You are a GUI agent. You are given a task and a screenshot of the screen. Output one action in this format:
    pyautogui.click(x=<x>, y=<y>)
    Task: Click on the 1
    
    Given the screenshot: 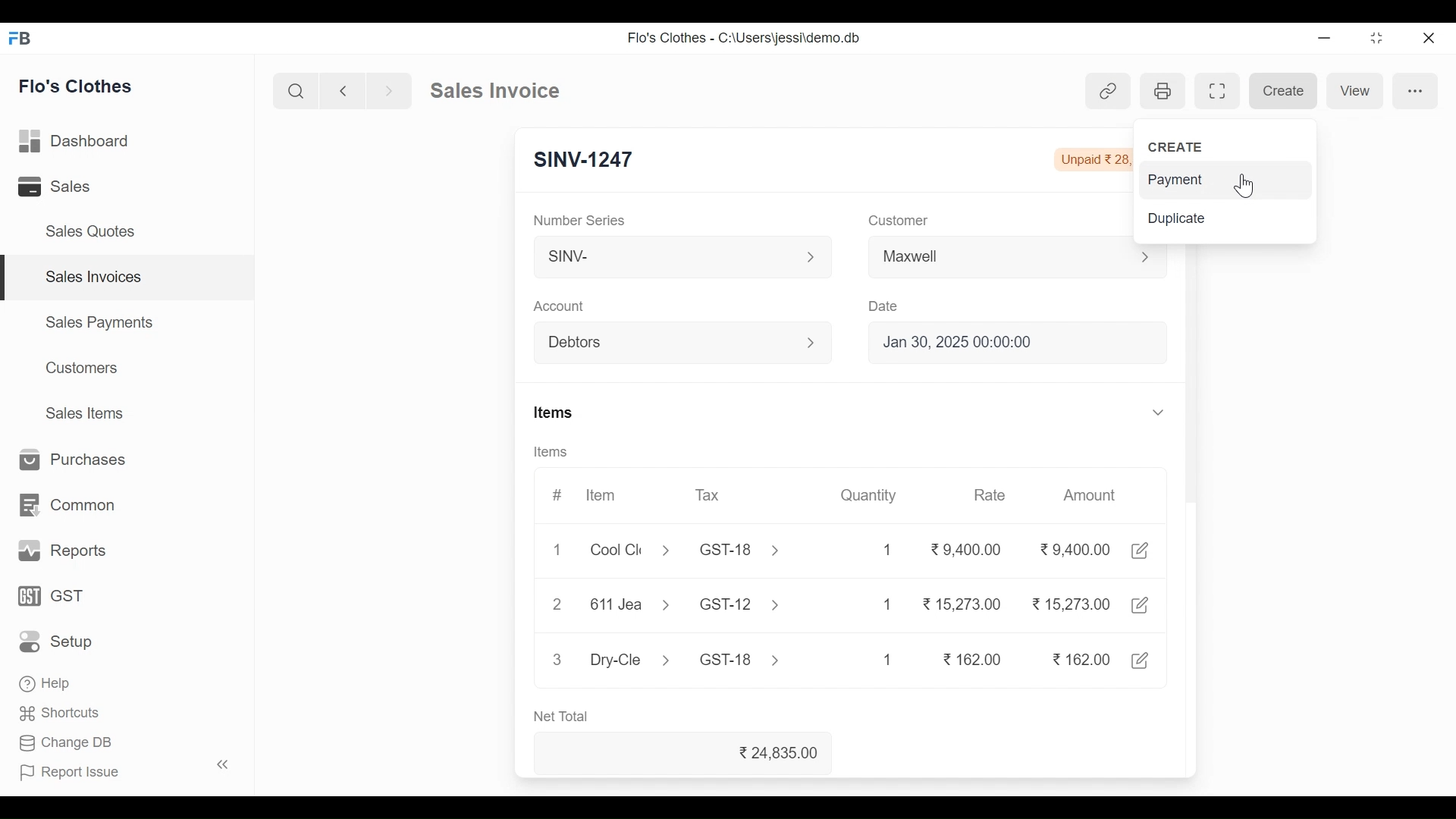 What is the action you would take?
    pyautogui.click(x=885, y=604)
    